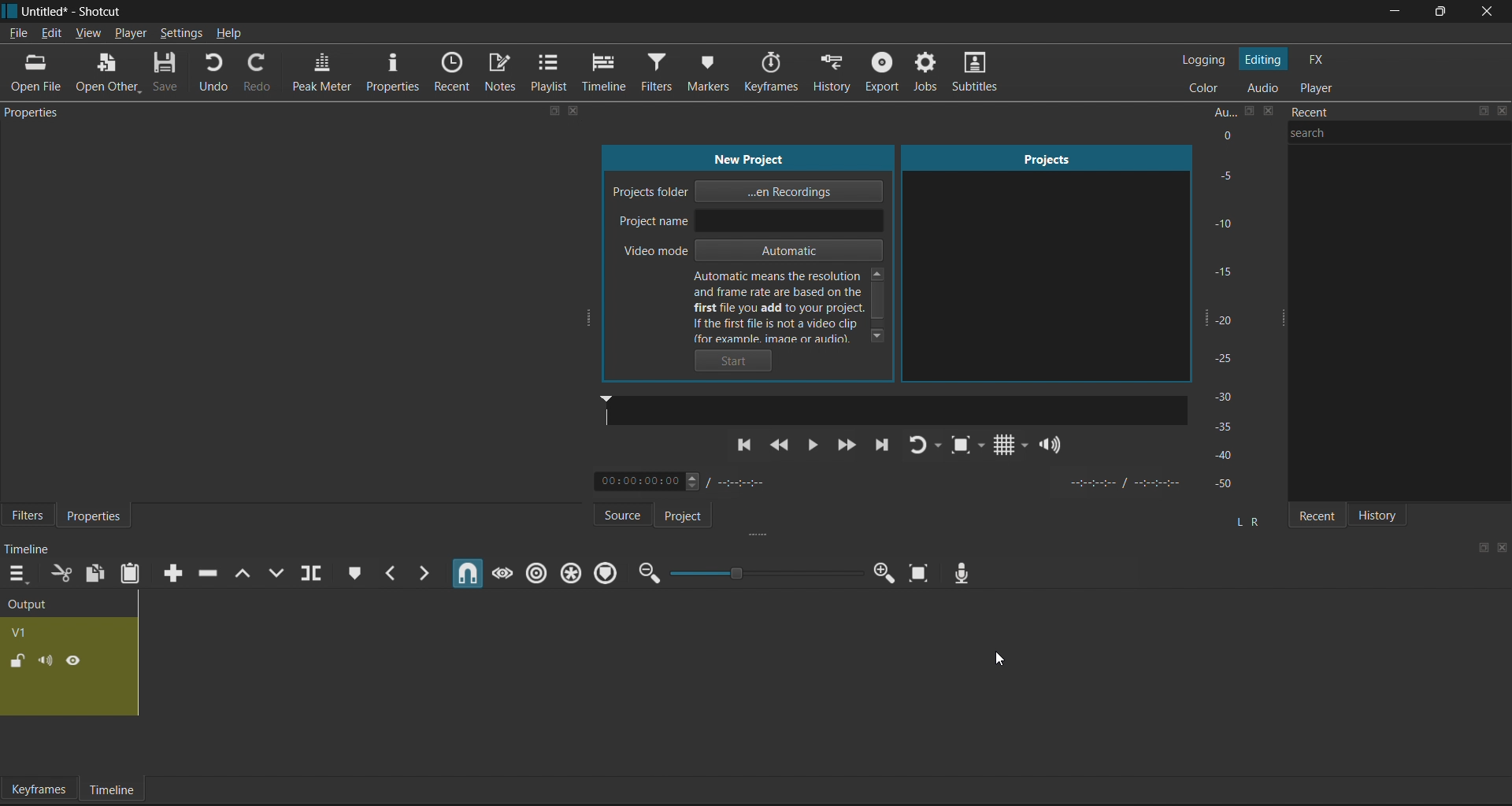 The height and width of the screenshot is (806, 1512). I want to click on Settings, so click(183, 33).